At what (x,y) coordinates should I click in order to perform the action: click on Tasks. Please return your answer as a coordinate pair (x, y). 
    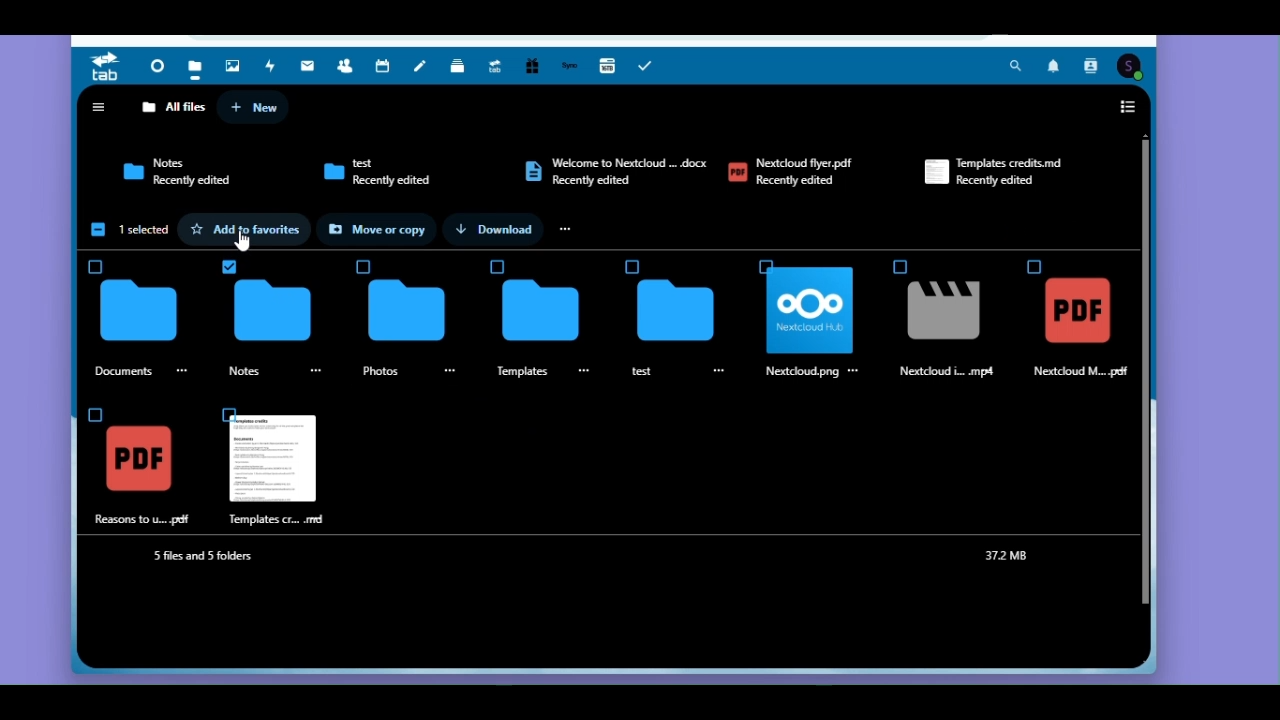
    Looking at the image, I should click on (650, 65).